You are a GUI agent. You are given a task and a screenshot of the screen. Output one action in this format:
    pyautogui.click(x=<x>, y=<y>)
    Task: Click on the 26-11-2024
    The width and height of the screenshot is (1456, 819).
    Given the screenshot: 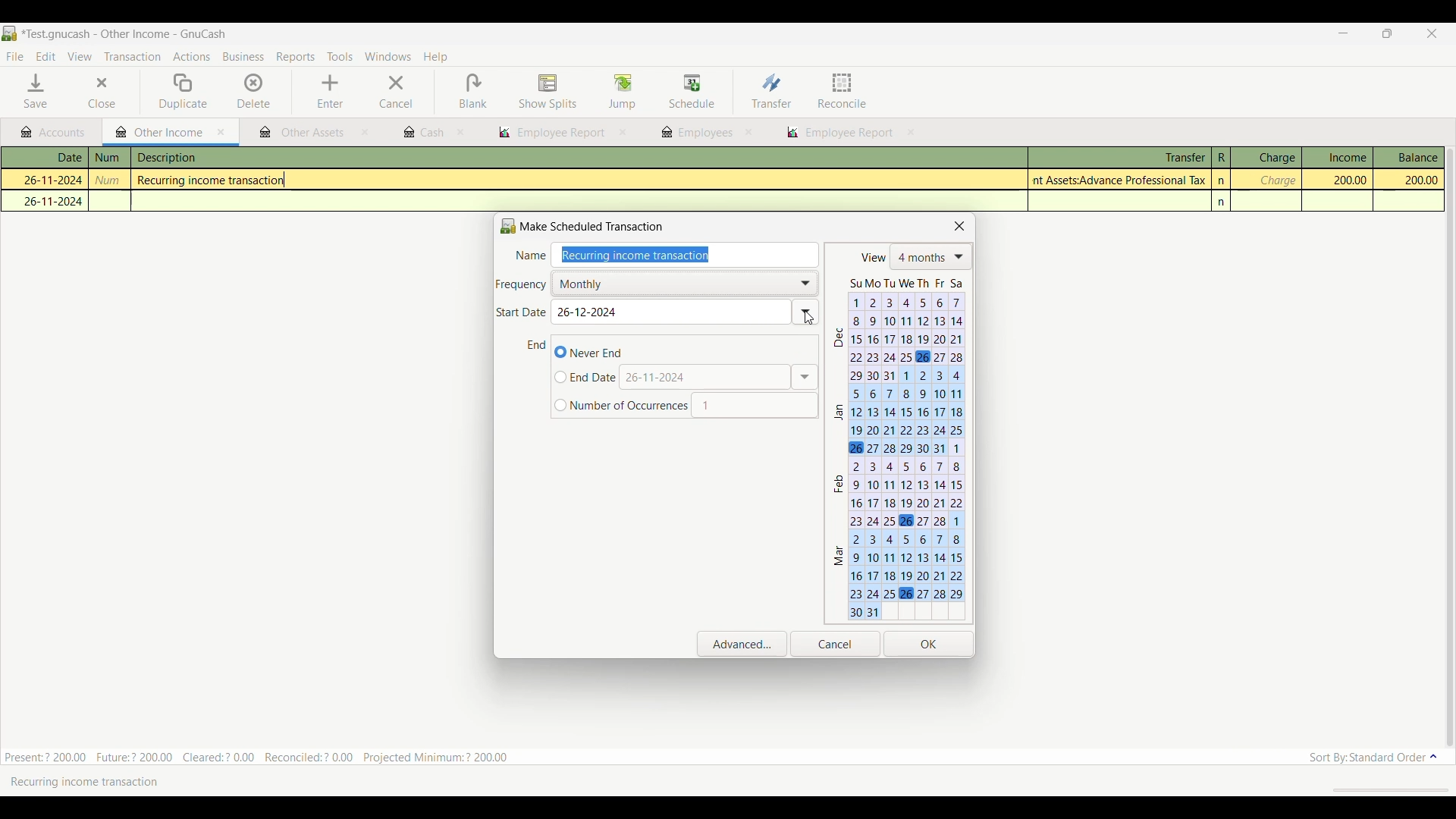 What is the action you would take?
    pyautogui.click(x=46, y=178)
    